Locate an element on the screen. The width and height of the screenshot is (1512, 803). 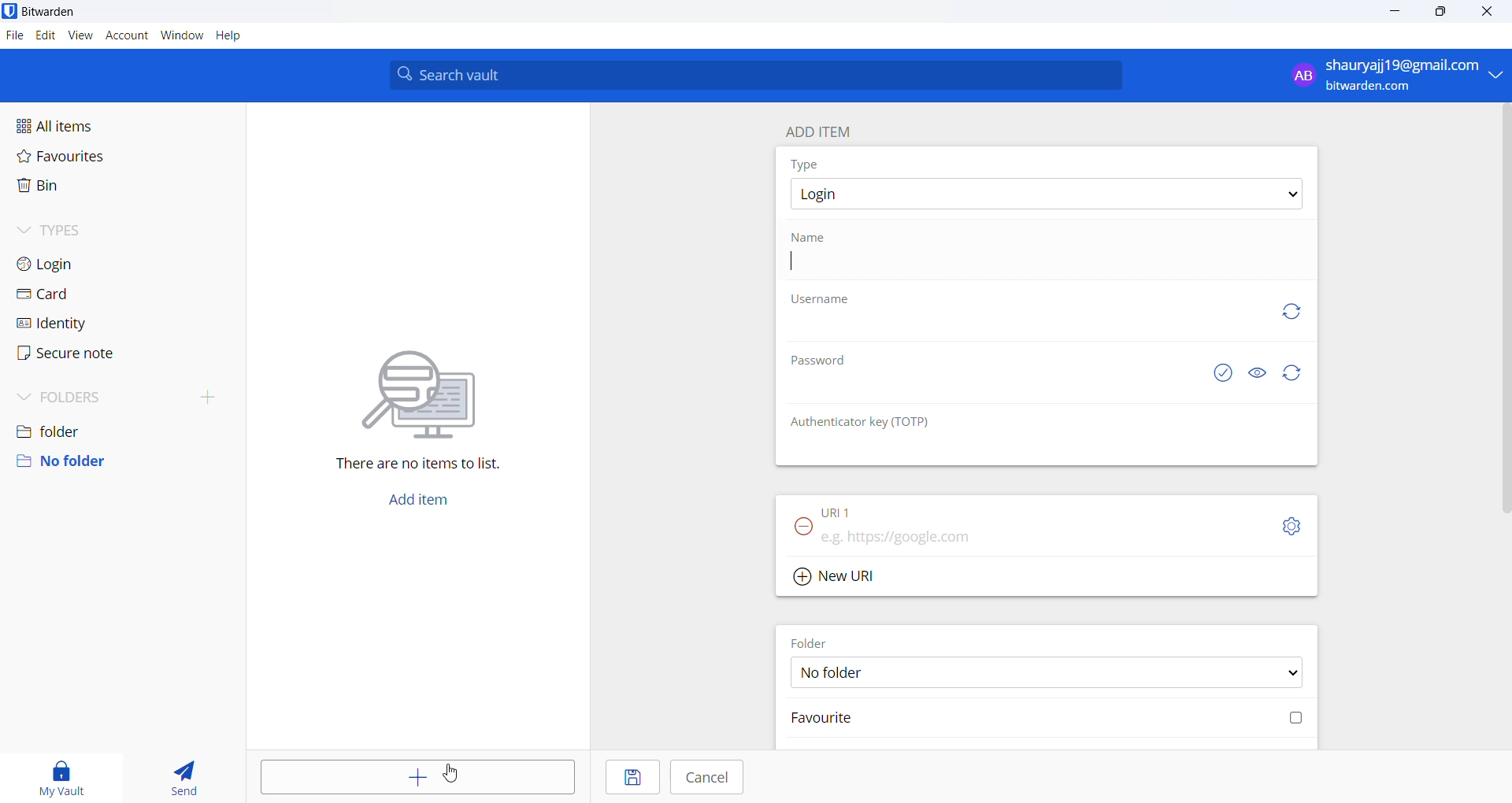
add item heading is located at coordinates (819, 128).